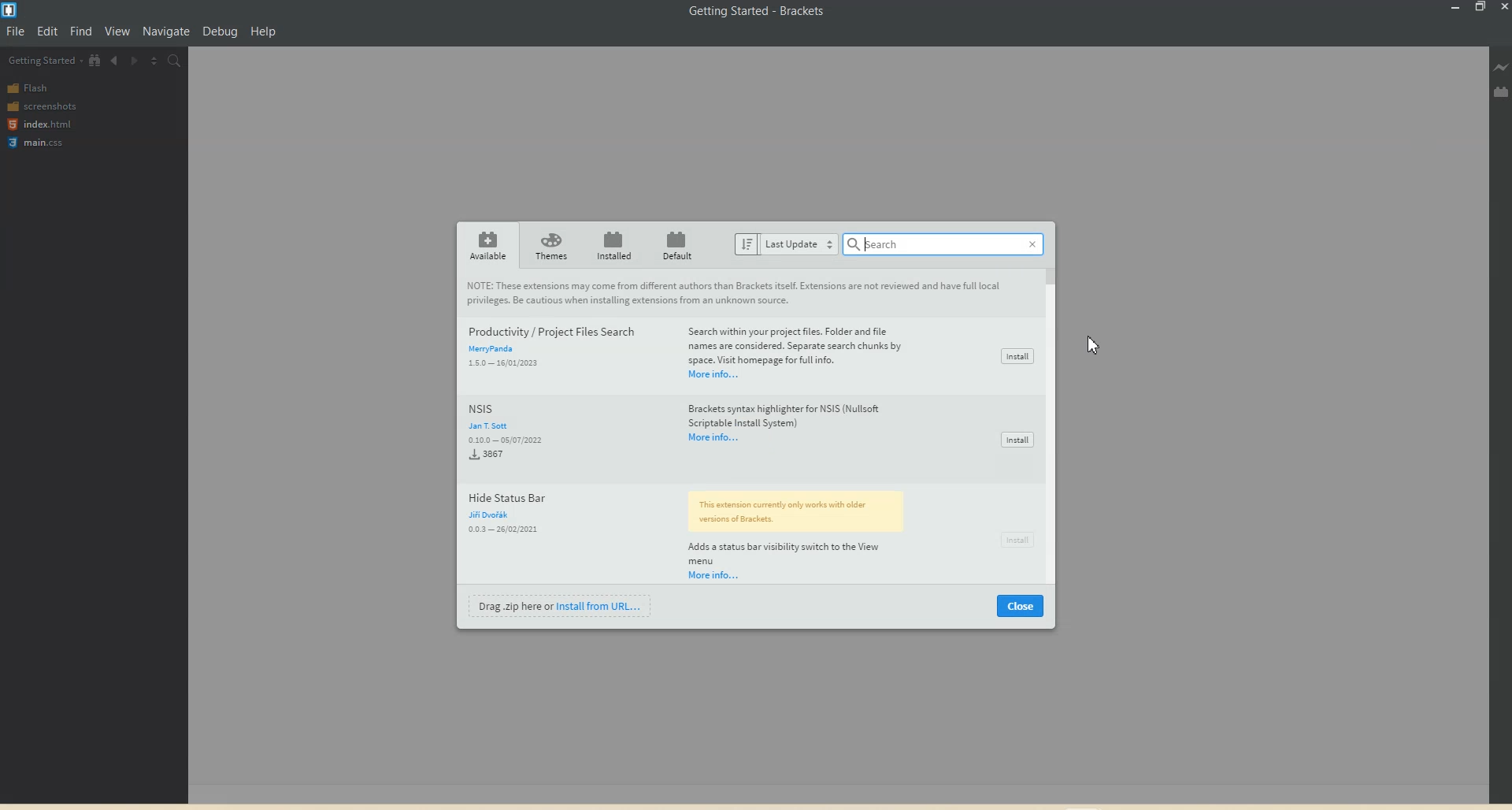  Describe the element at coordinates (487, 245) in the screenshot. I see `Available` at that location.